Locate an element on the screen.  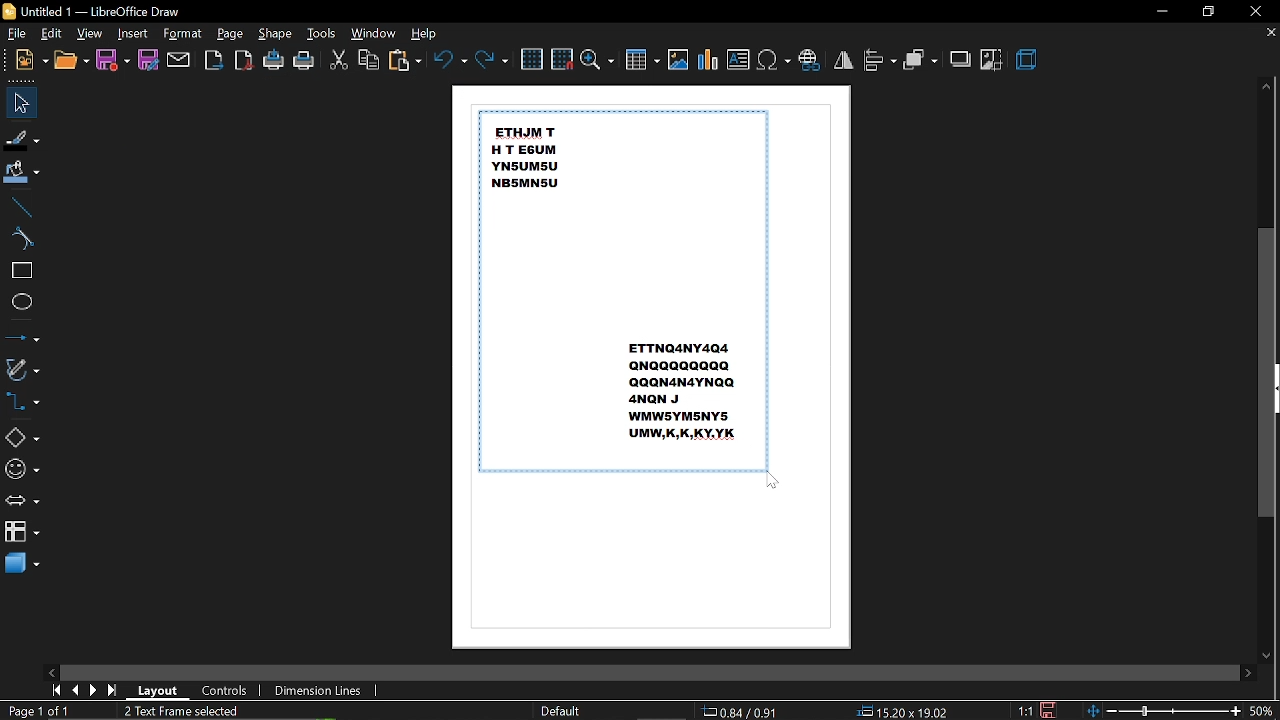
shadow is located at coordinates (960, 59).